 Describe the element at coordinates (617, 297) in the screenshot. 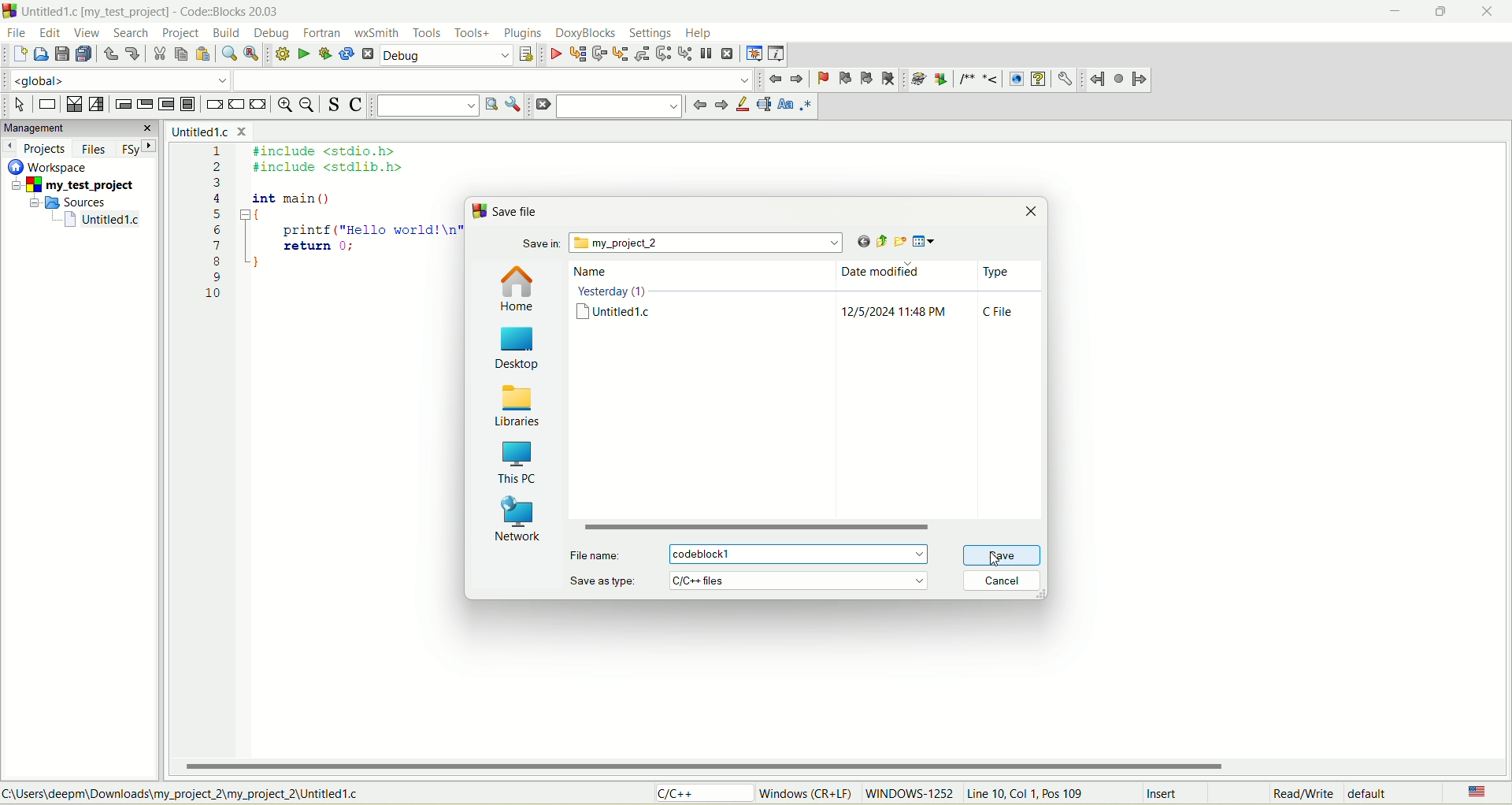

I see `name` at that location.